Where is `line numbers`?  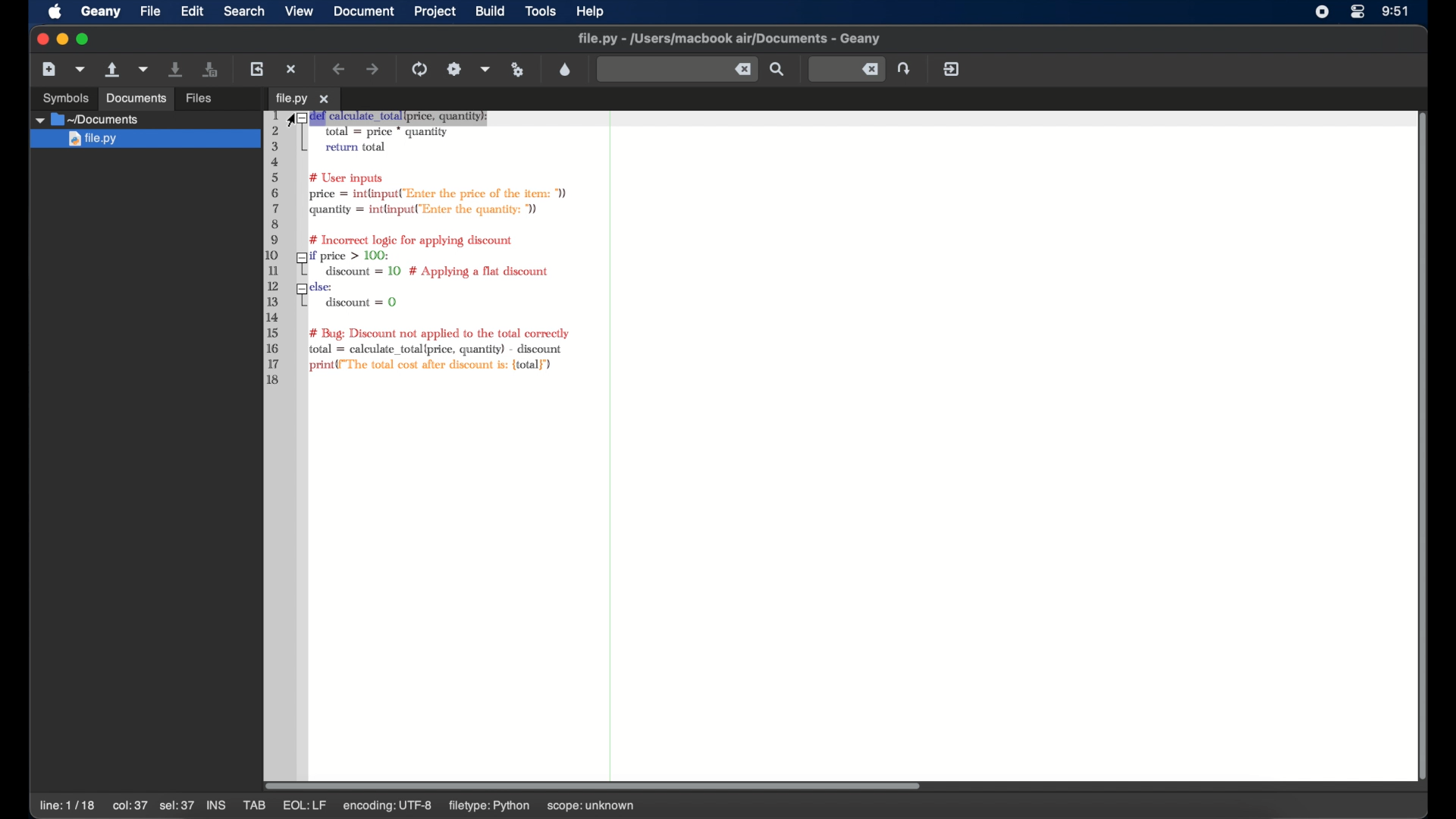 line numbers is located at coordinates (276, 255).